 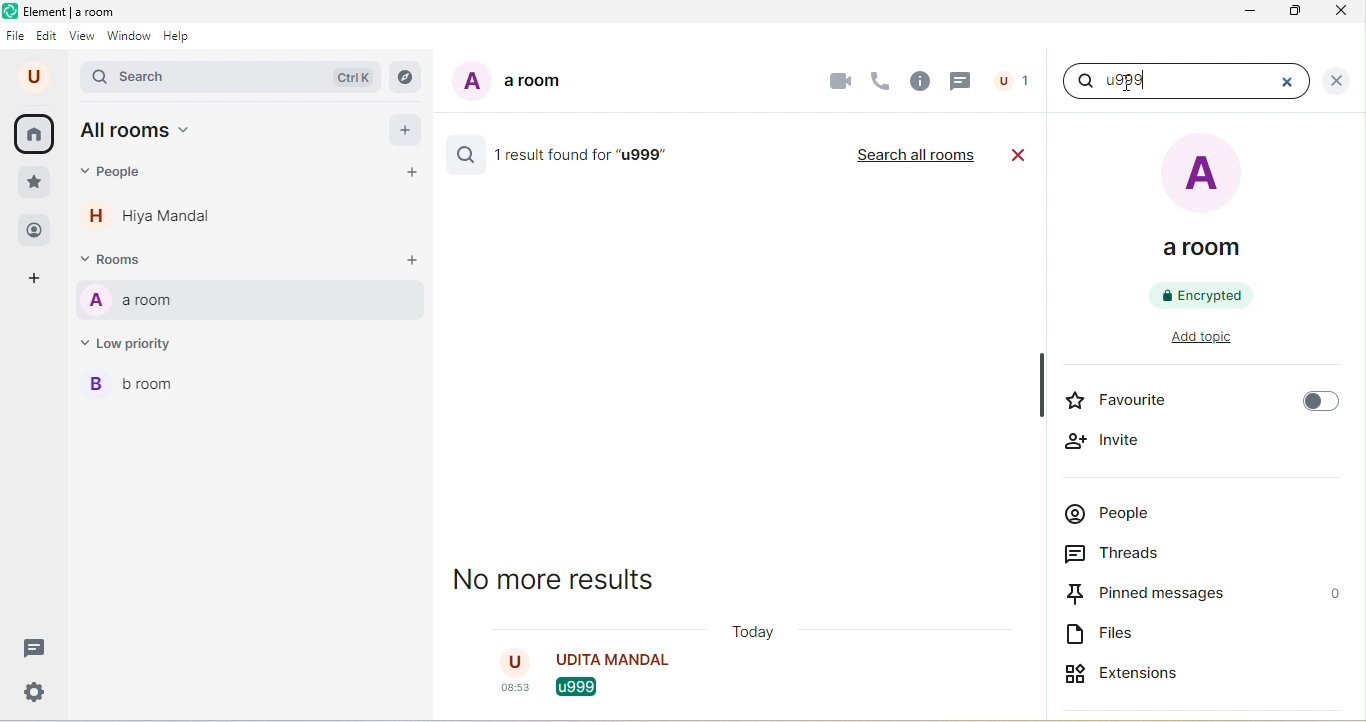 What do you see at coordinates (1206, 202) in the screenshot?
I see `a room` at bounding box center [1206, 202].